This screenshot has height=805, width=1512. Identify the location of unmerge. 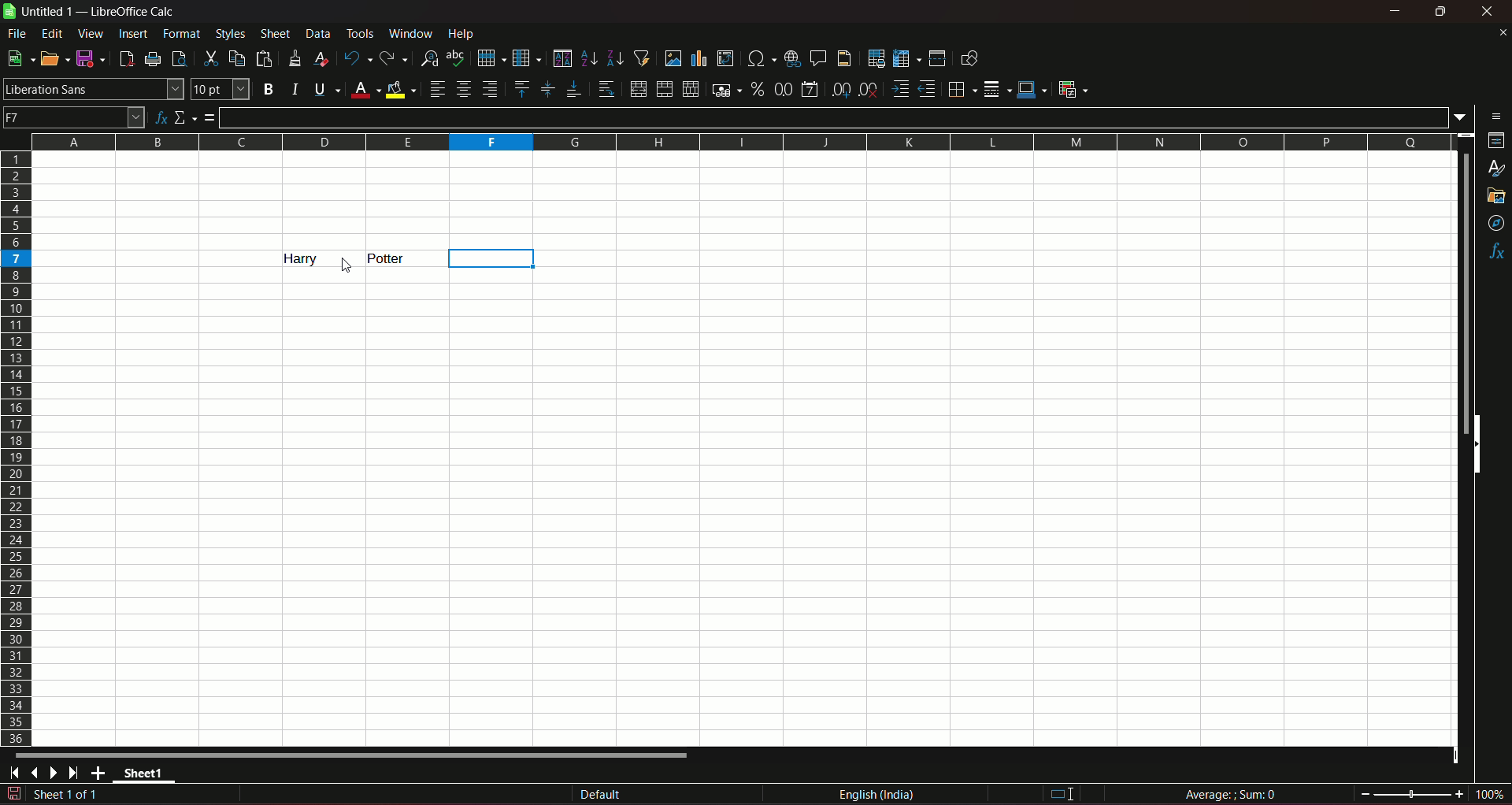
(689, 90).